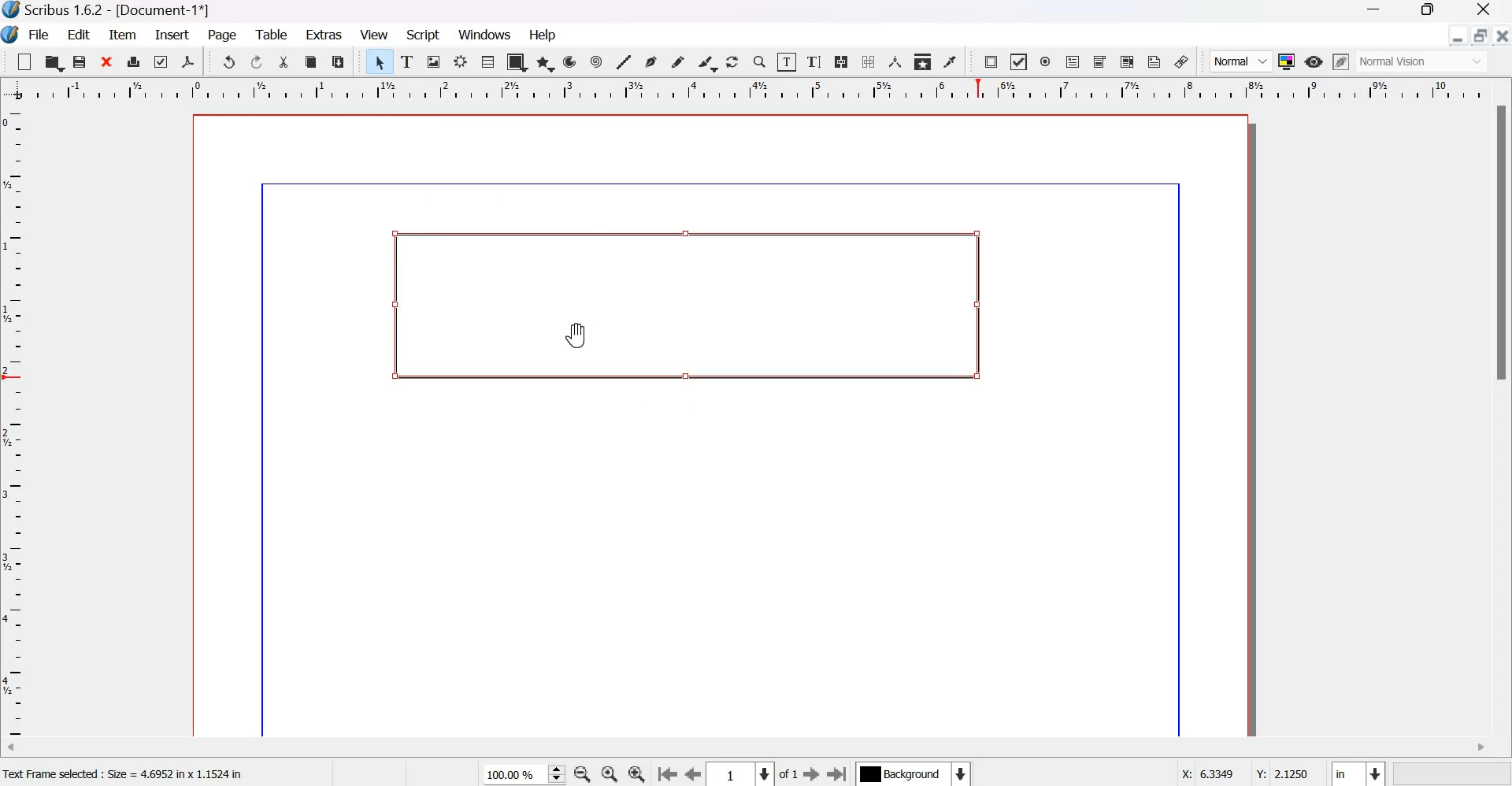 The width and height of the screenshot is (1512, 786). I want to click on select the current unit, so click(1358, 772).